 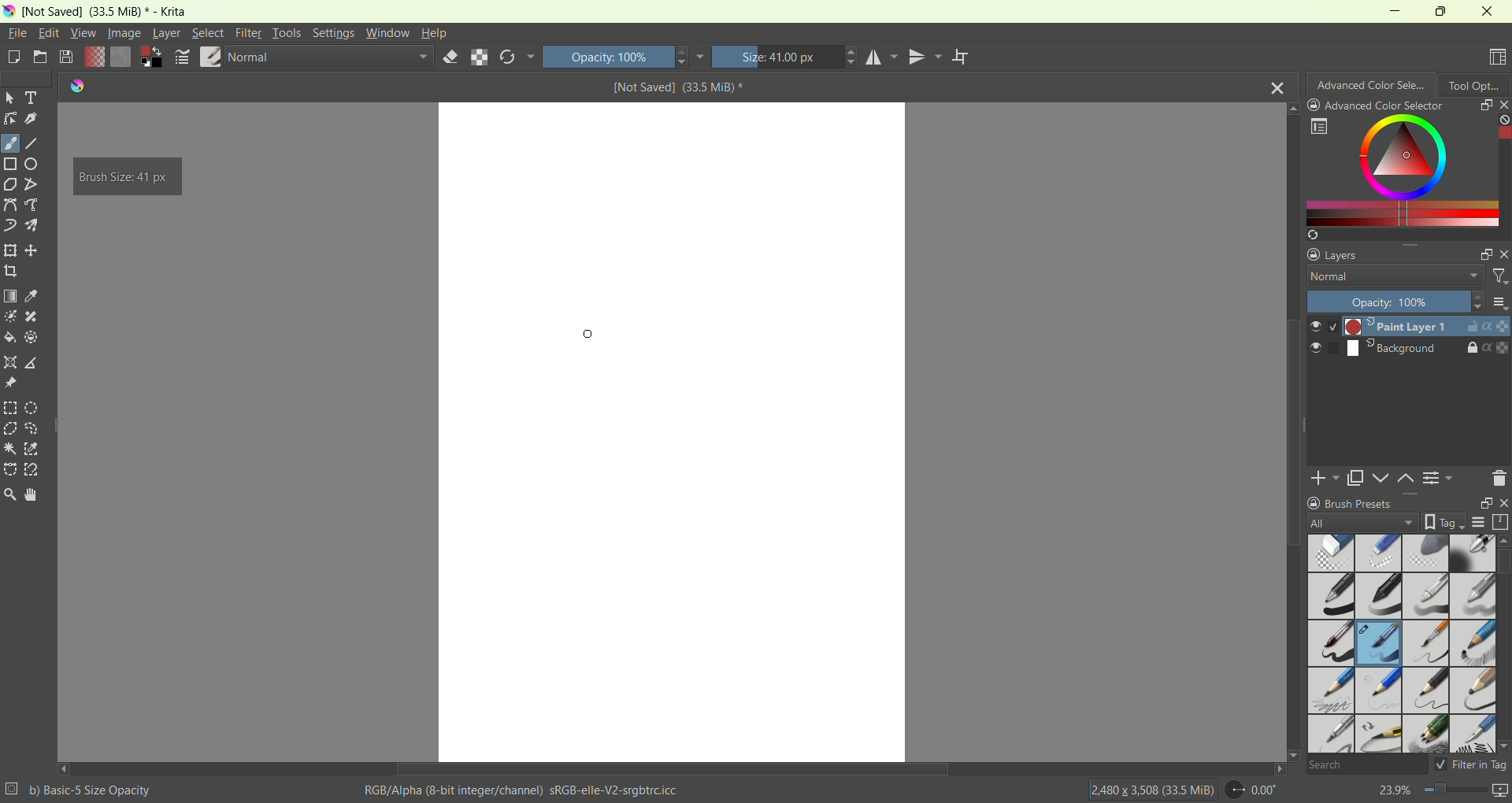 What do you see at coordinates (1388, 10) in the screenshot?
I see `minimize` at bounding box center [1388, 10].